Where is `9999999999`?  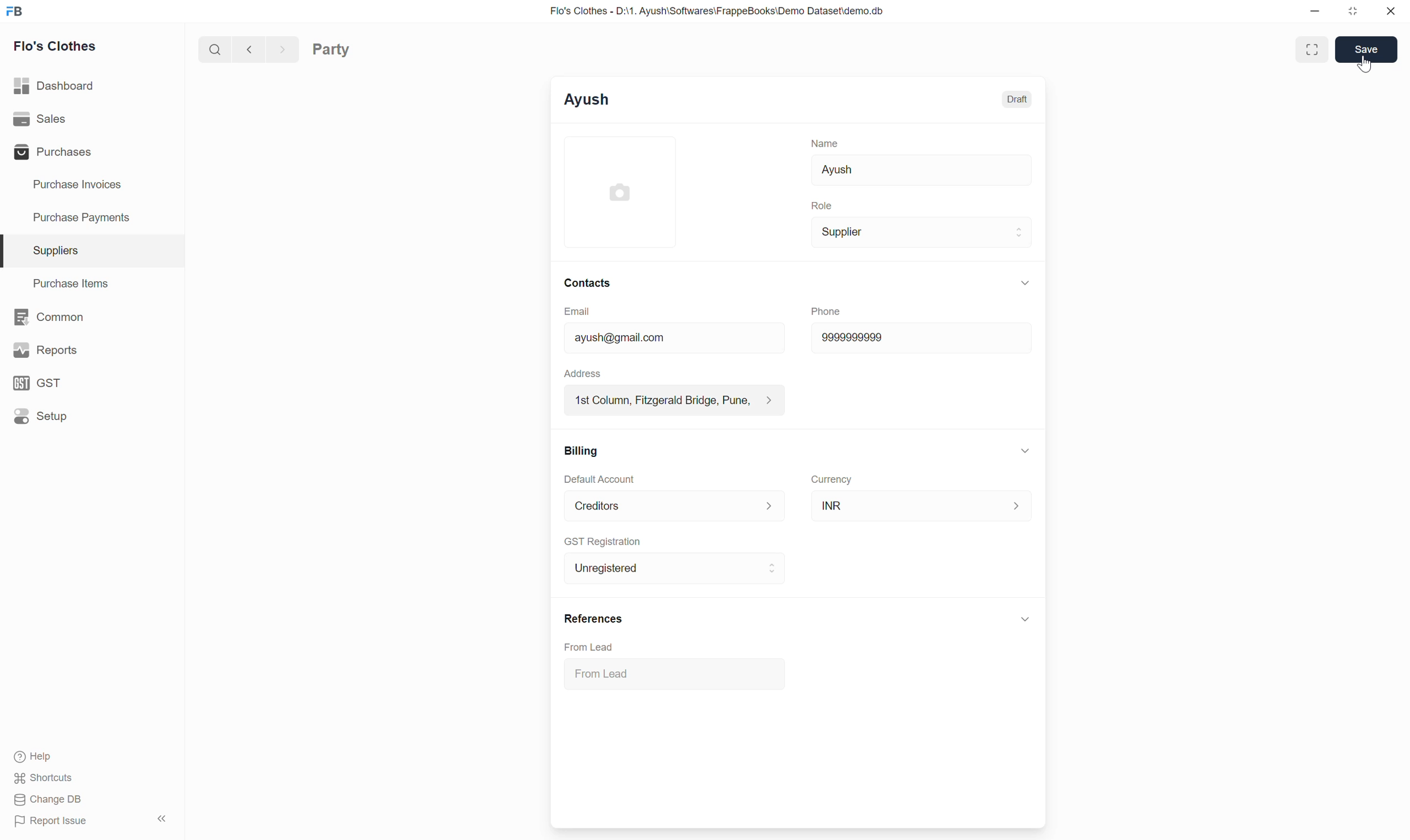 9999999999 is located at coordinates (921, 338).